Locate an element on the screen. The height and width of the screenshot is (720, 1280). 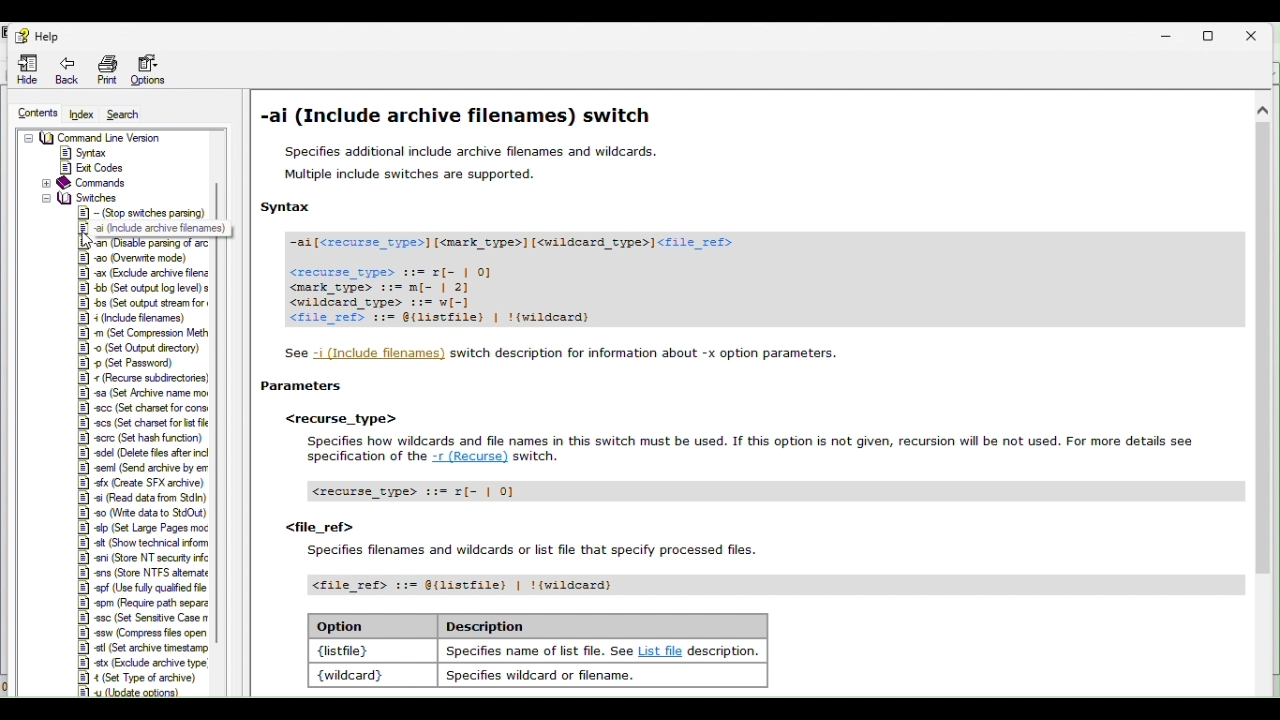
|2] adel (Delete fies after incl is located at coordinates (147, 453).